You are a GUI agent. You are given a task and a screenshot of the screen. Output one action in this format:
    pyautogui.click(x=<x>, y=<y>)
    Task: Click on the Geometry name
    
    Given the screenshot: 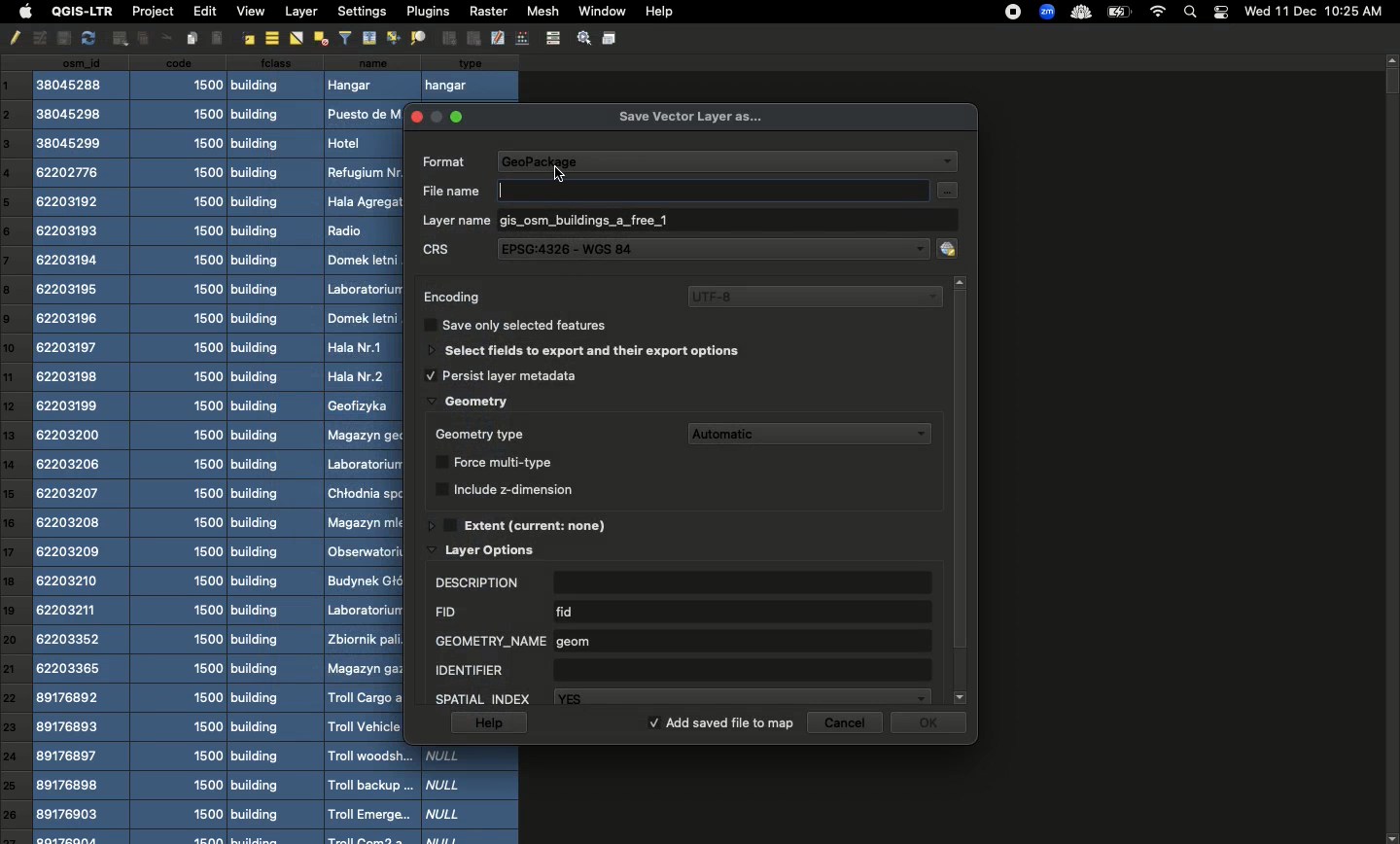 What is the action you would take?
    pyautogui.click(x=682, y=643)
    